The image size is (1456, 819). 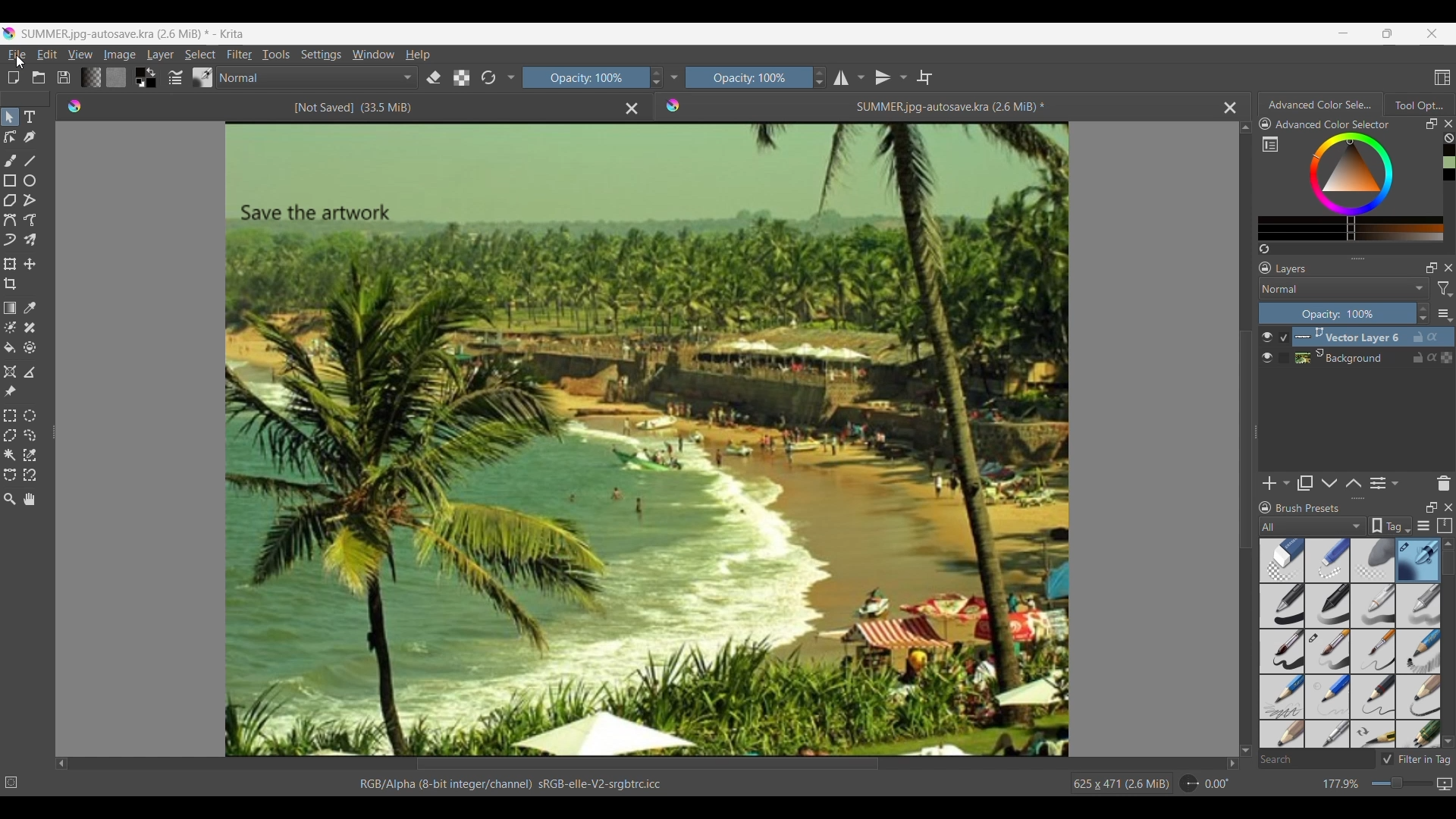 I want to click on Layer, so click(x=160, y=54).